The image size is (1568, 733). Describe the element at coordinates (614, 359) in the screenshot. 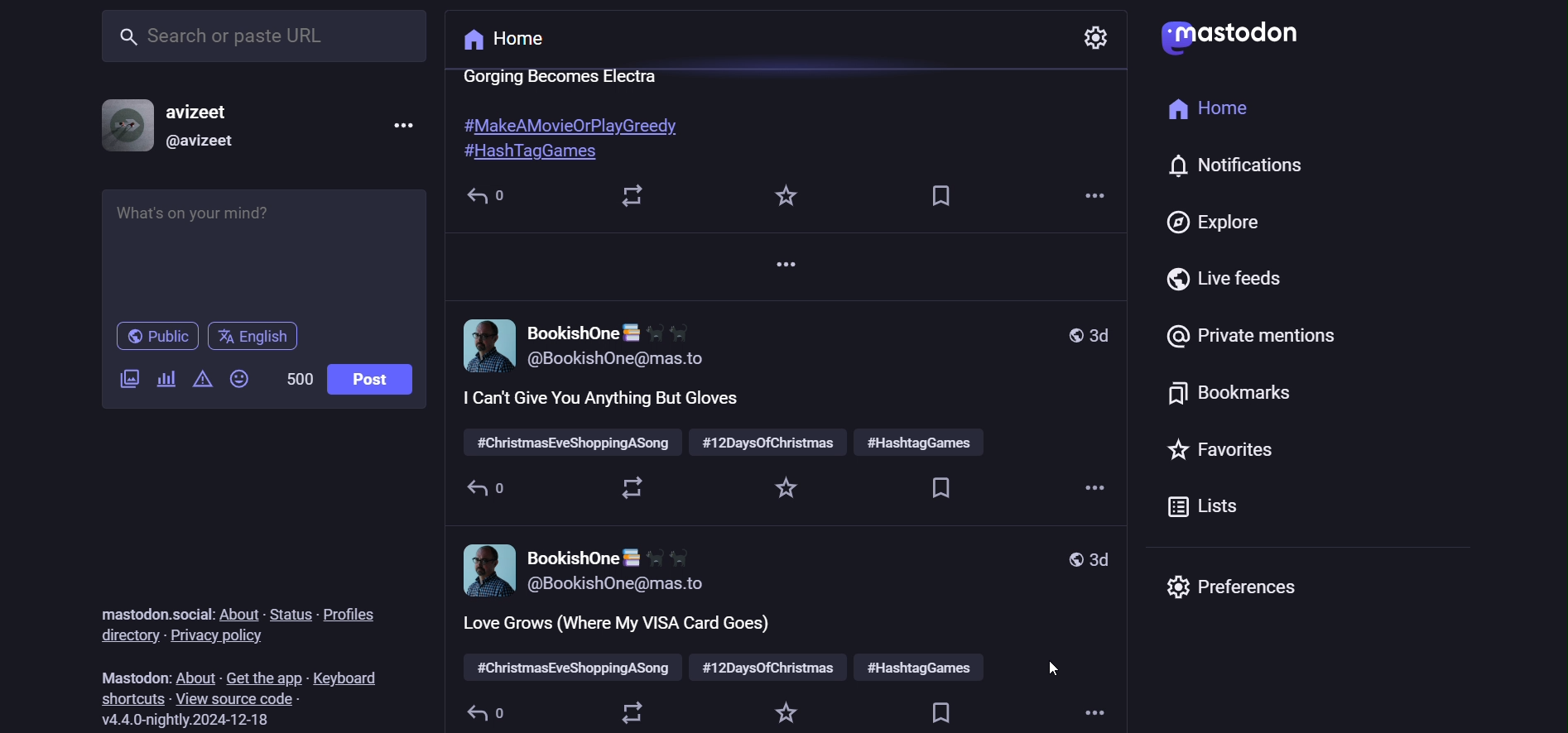

I see `(@BookishOne@mas.to` at that location.